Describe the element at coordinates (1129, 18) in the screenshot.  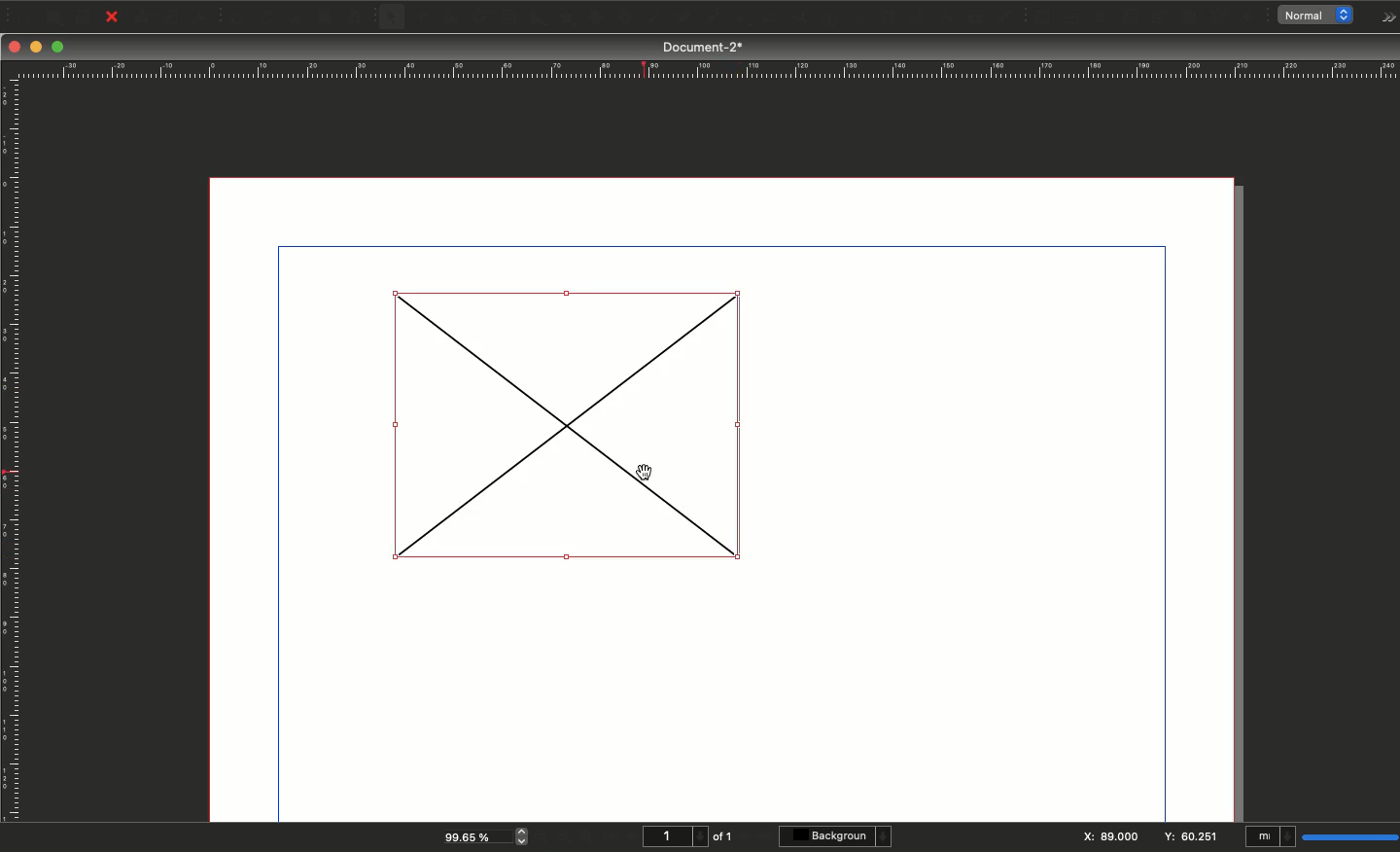
I see `PDF text field` at that location.